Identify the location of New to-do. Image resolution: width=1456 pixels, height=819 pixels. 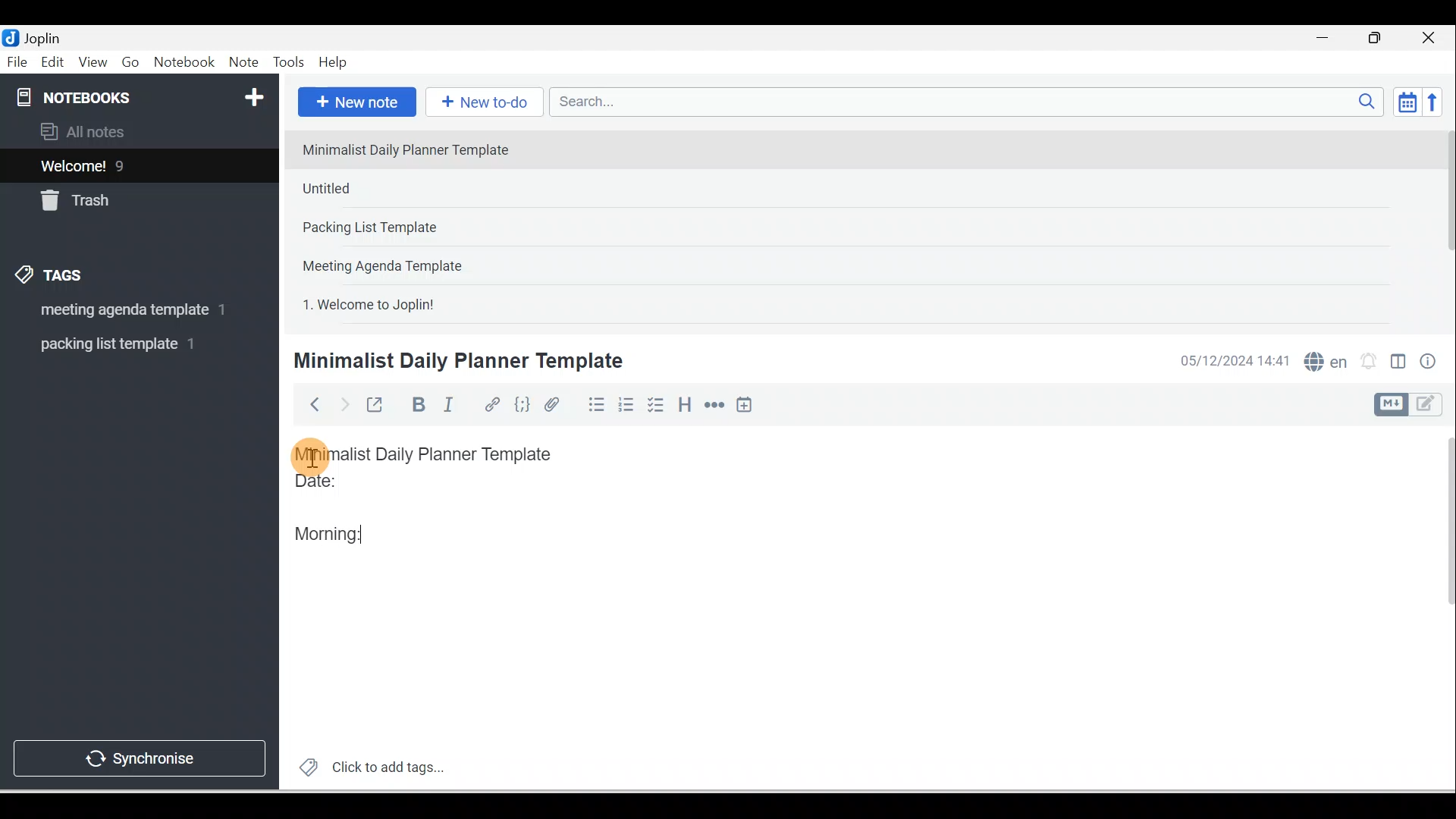
(481, 103).